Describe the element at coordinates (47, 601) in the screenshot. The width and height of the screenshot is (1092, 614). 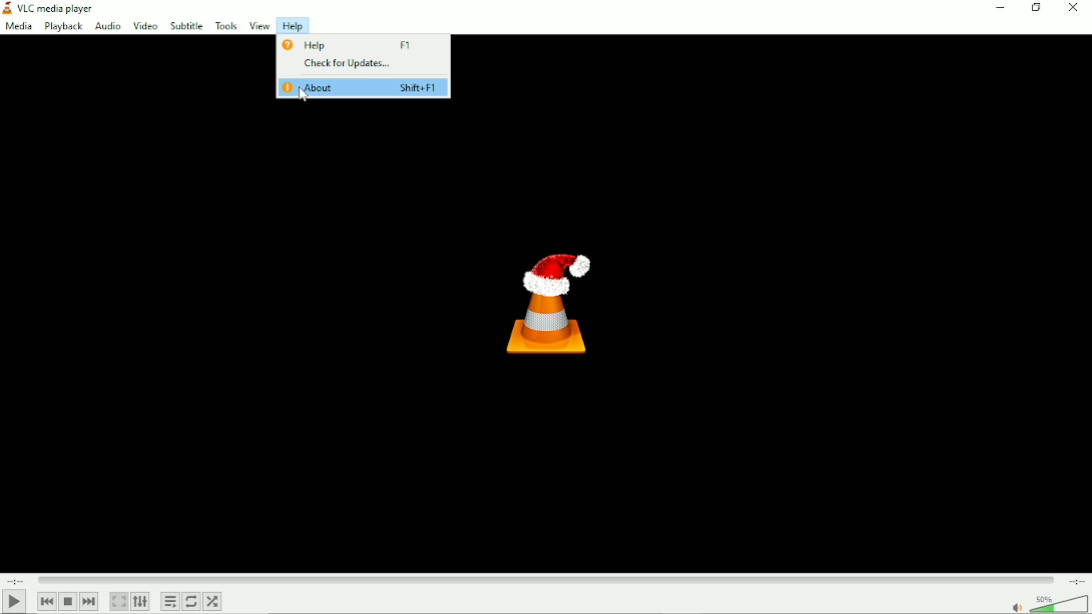
I see `Previous` at that location.